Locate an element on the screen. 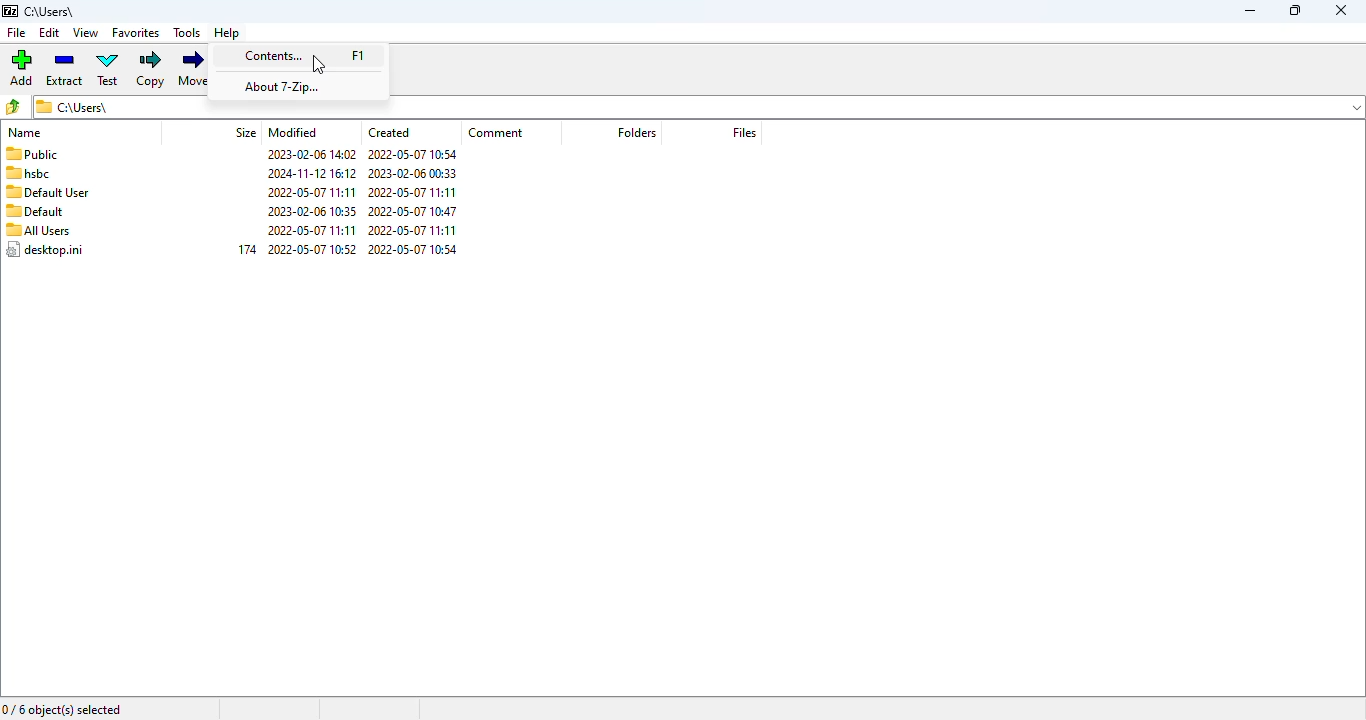  copy is located at coordinates (150, 70).